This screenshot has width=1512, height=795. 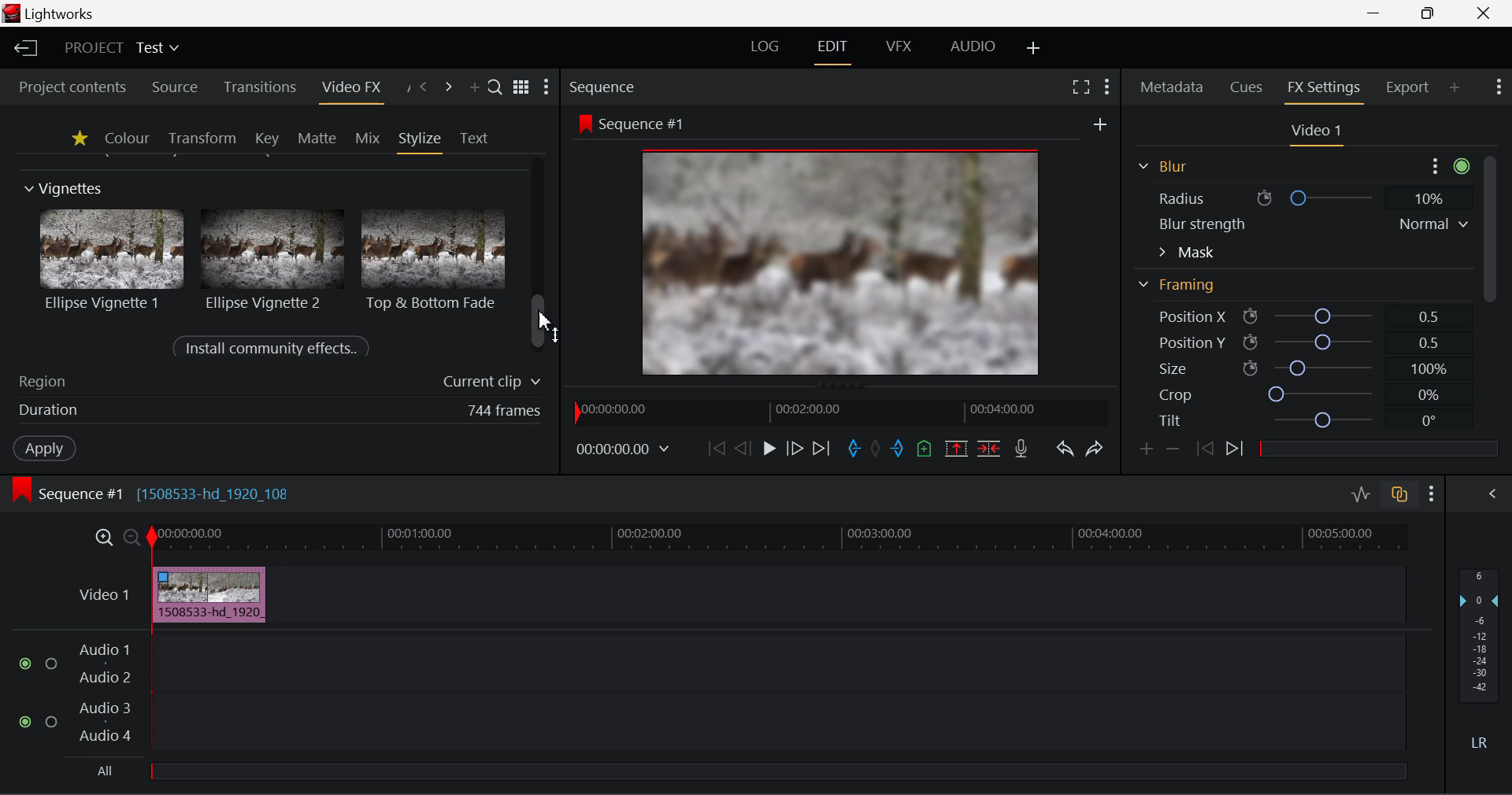 I want to click on Mark Cue, so click(x=925, y=448).